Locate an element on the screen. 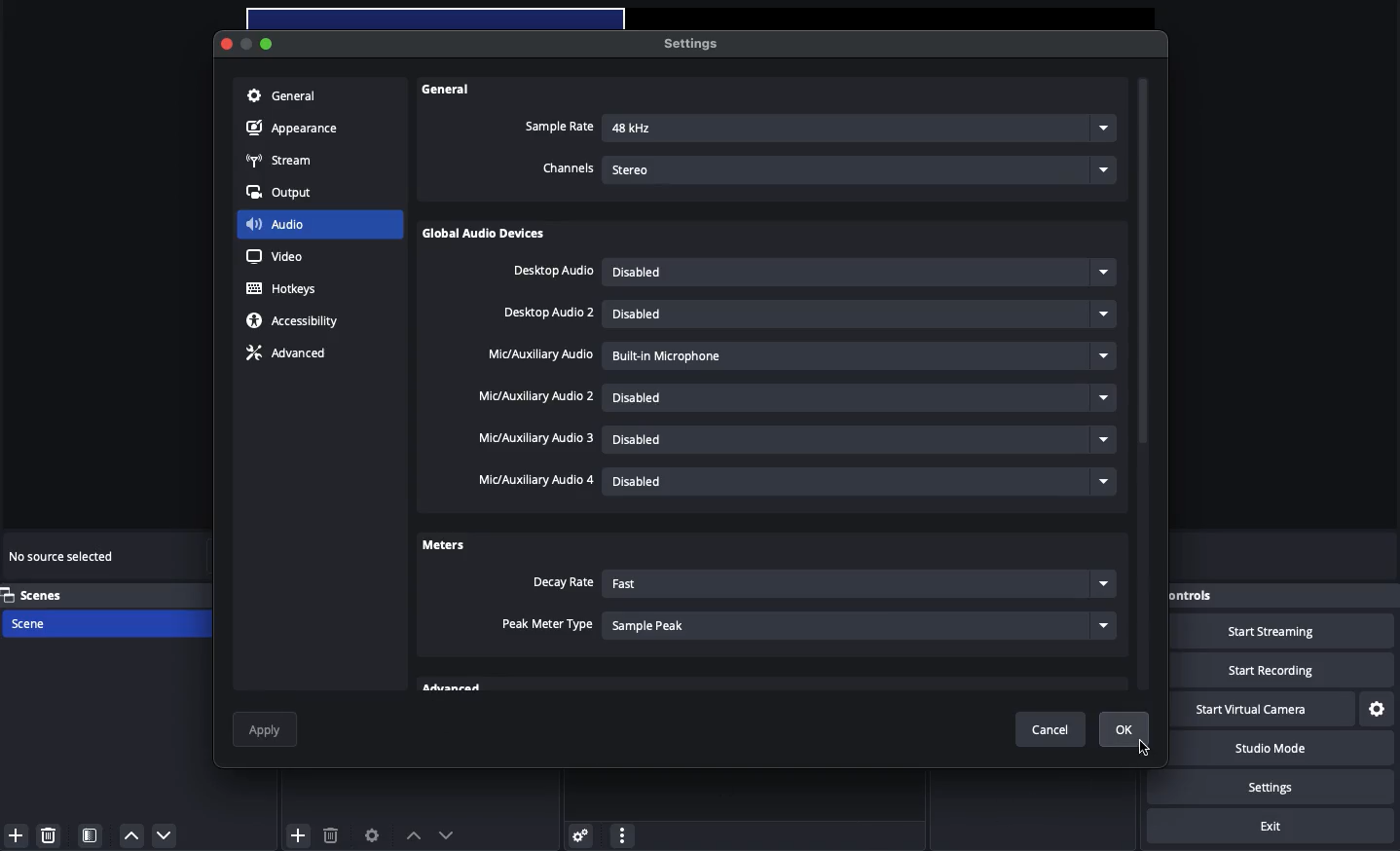 The width and height of the screenshot is (1400, 851). Scene is located at coordinates (51, 624).